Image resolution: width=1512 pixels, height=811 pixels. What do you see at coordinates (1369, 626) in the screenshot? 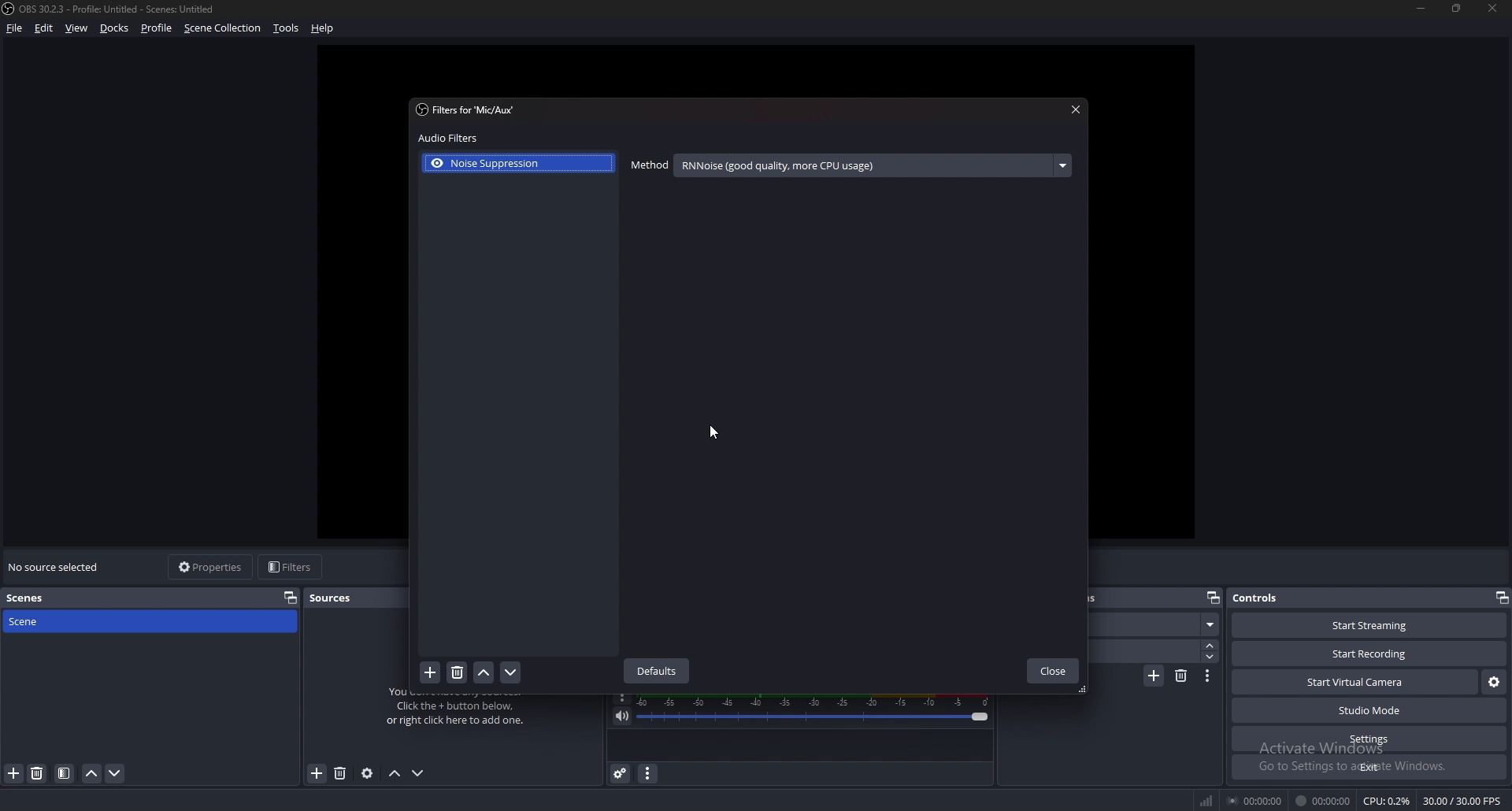
I see `start streaming` at bounding box center [1369, 626].